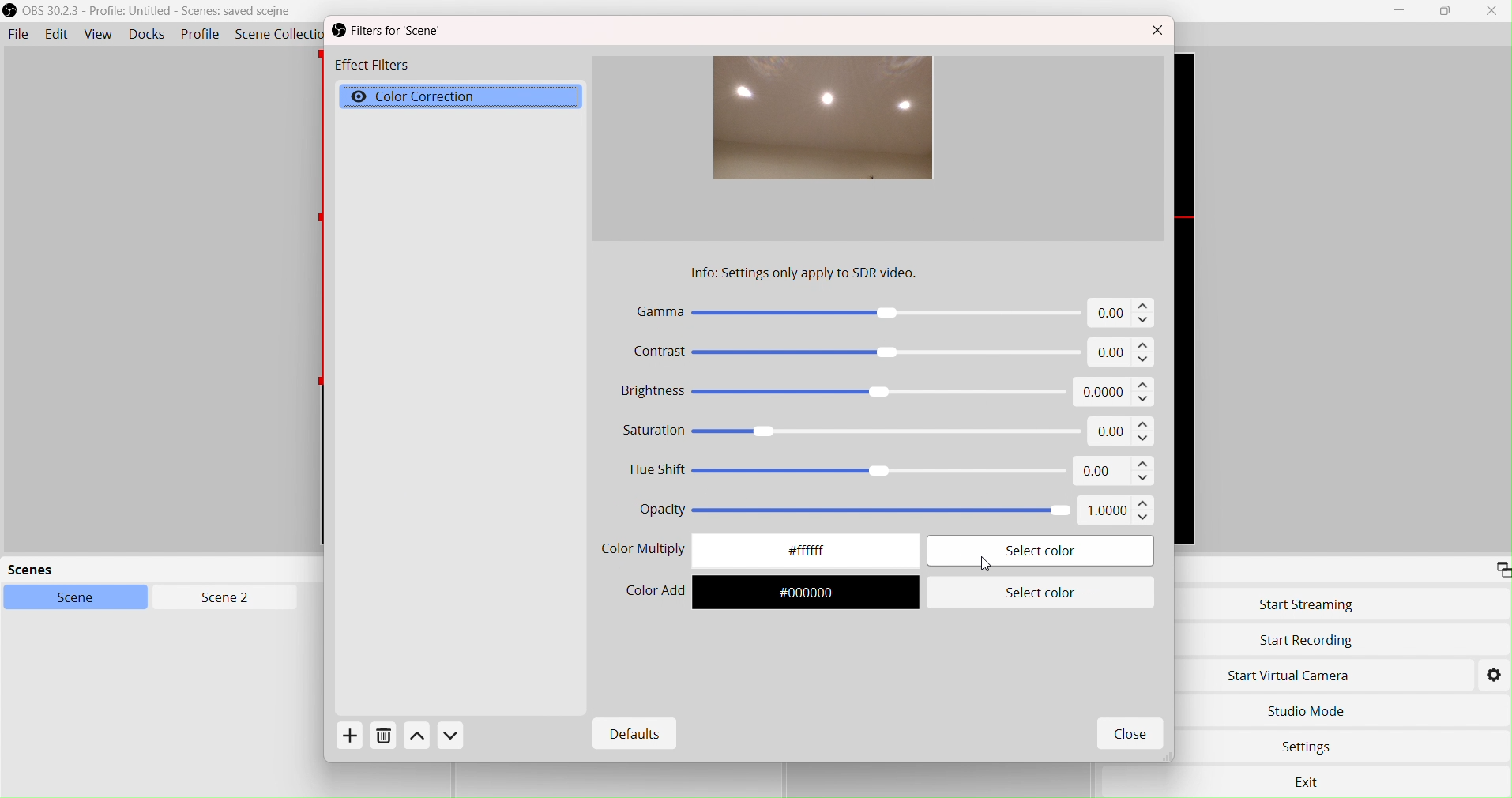 The height and width of the screenshot is (798, 1512). What do you see at coordinates (837, 393) in the screenshot?
I see `Brightness -` at bounding box center [837, 393].